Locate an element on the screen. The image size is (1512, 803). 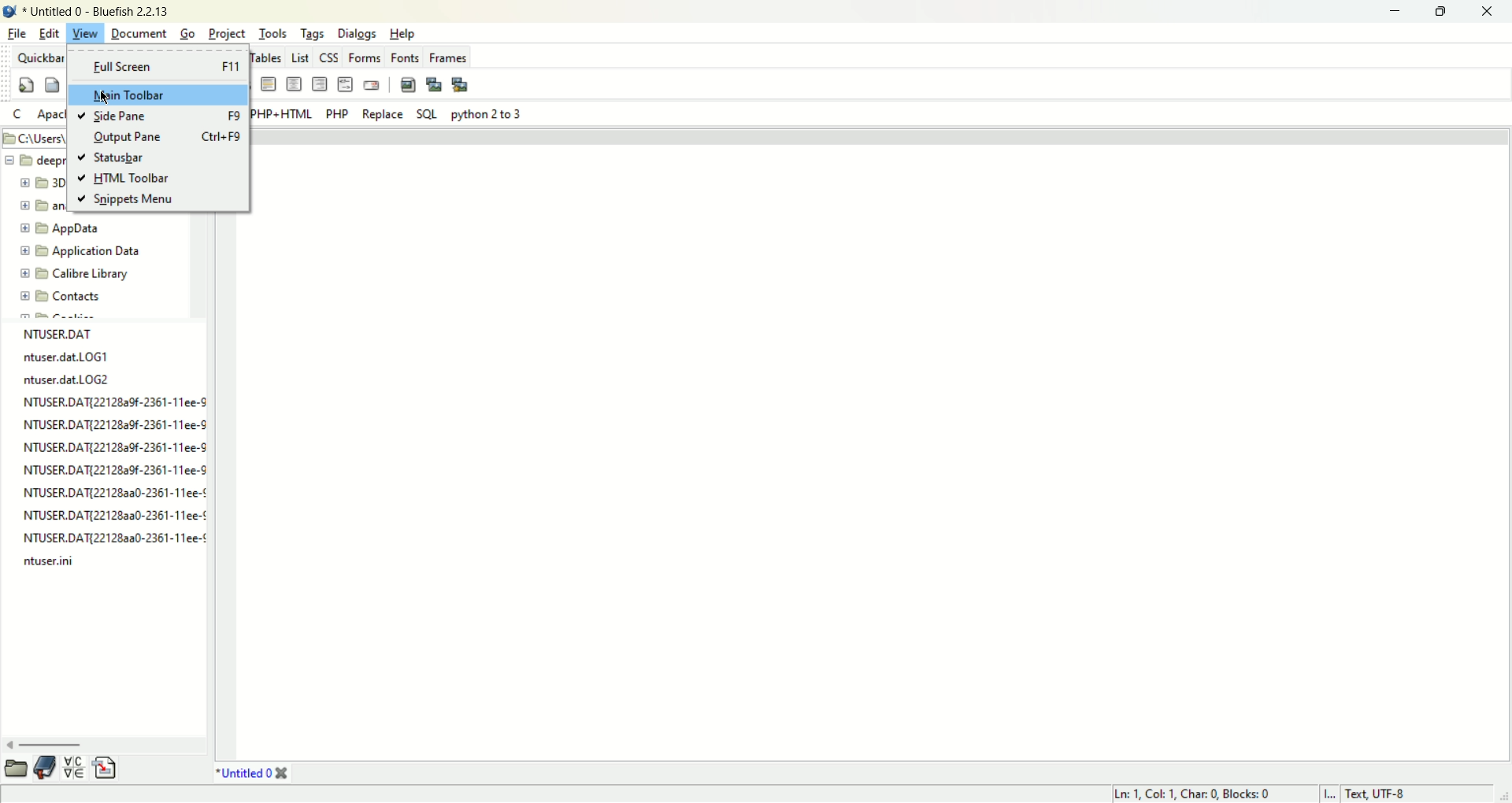
insert images is located at coordinates (407, 83).